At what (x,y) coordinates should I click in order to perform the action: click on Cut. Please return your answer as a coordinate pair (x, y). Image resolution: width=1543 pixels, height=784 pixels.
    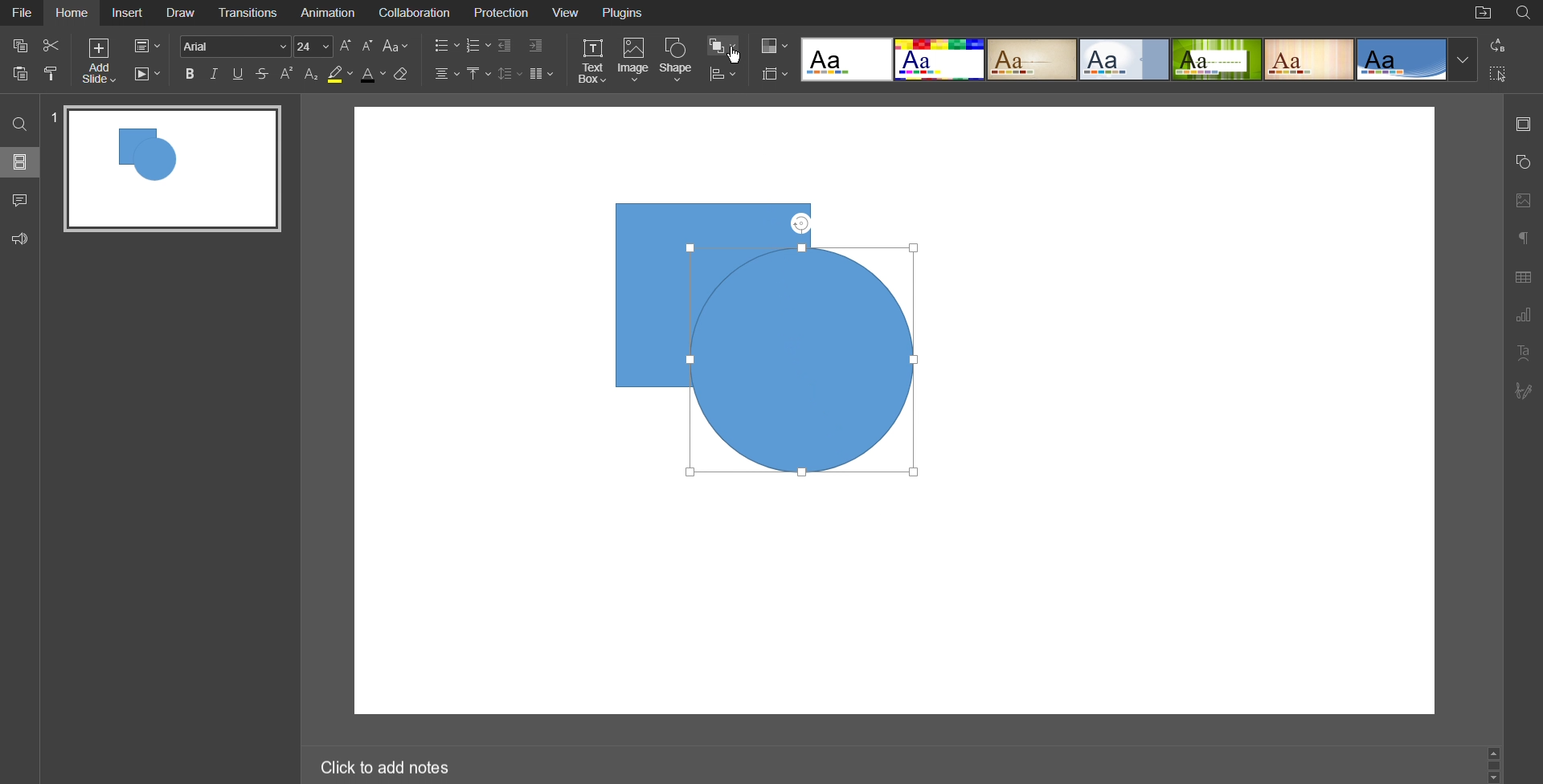
    Looking at the image, I should click on (51, 47).